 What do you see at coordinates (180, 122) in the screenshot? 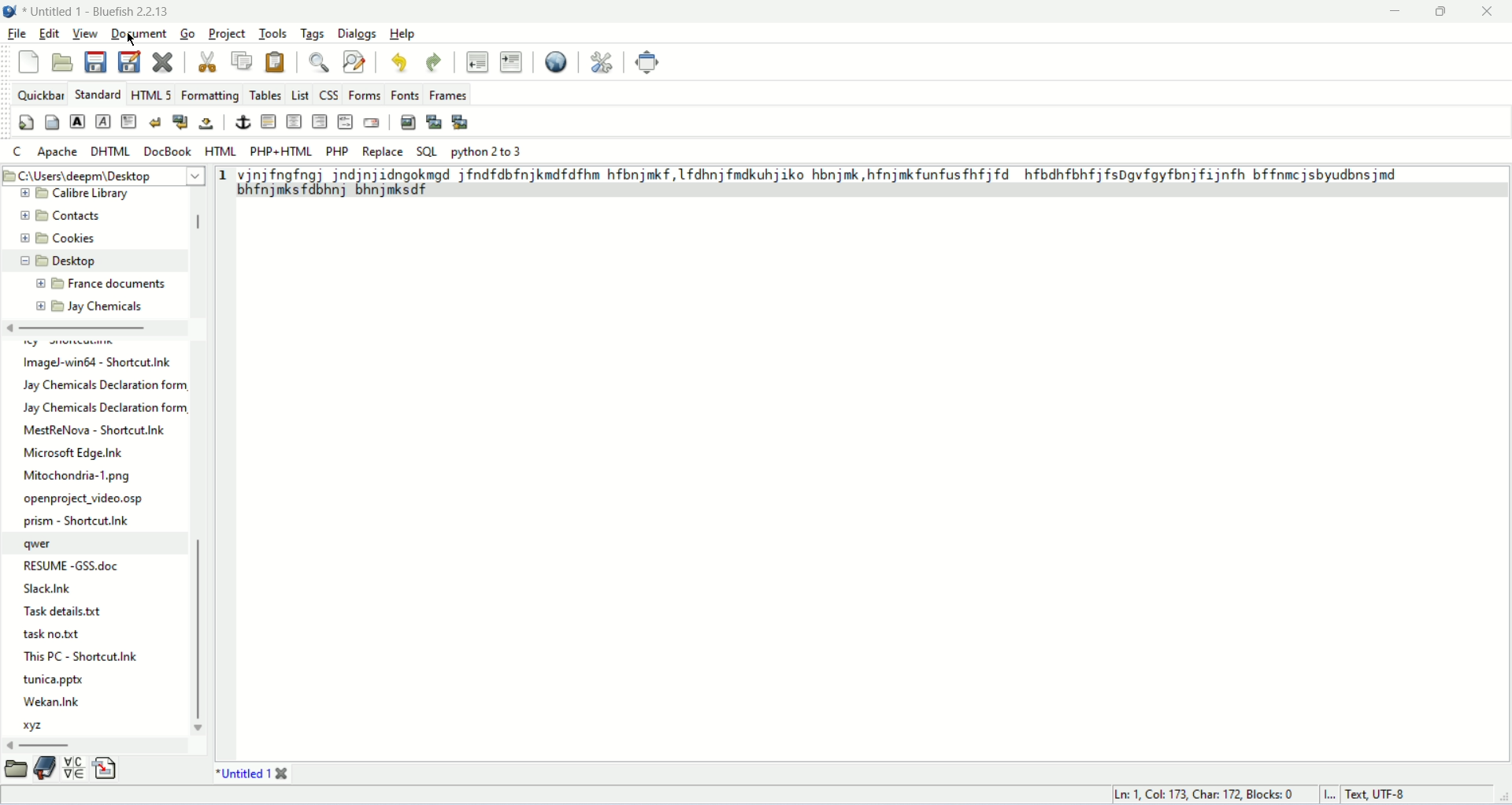
I see `break and clear` at bounding box center [180, 122].